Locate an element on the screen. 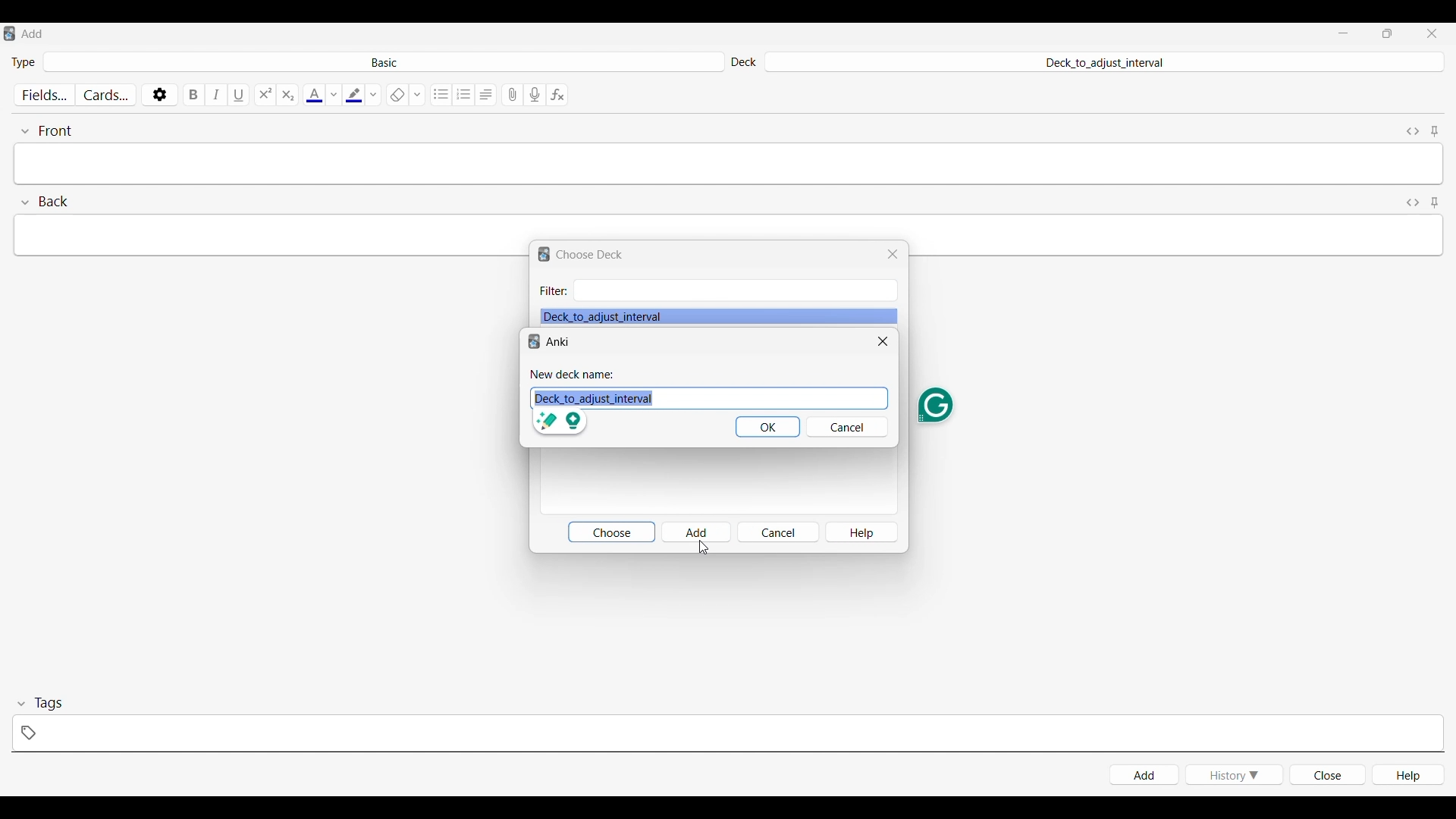  Super script is located at coordinates (265, 95).